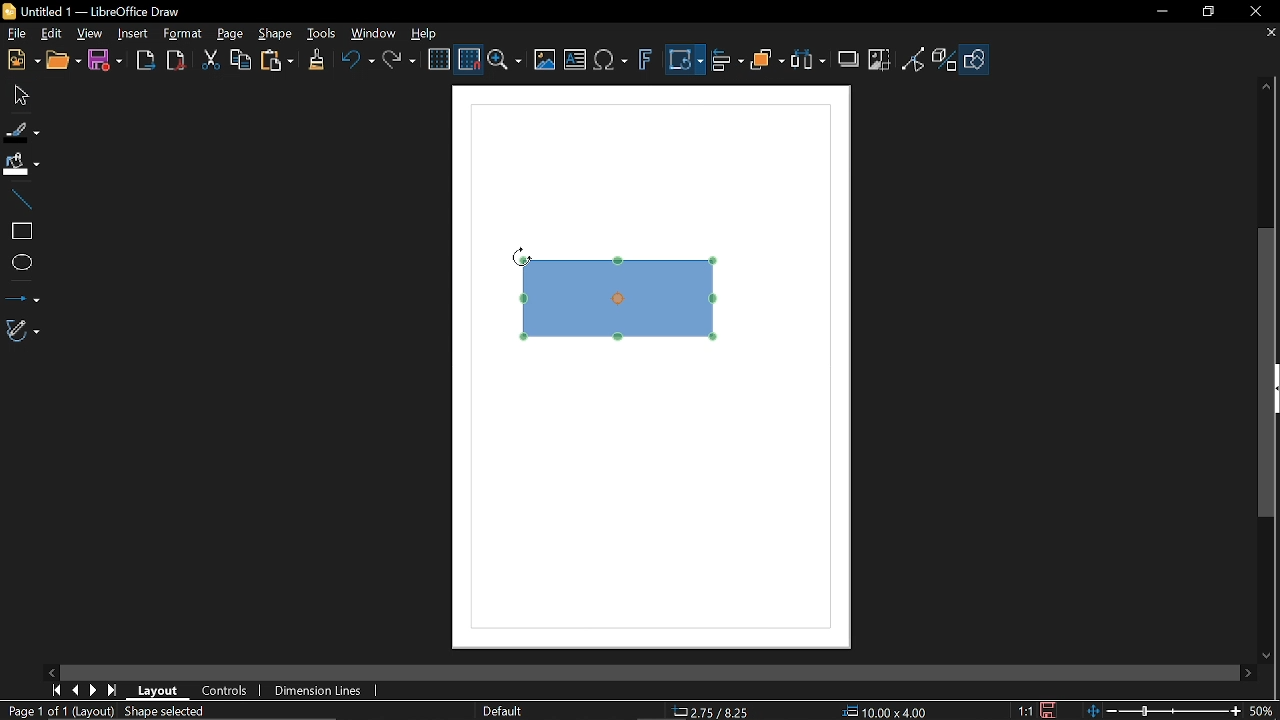 The image size is (1280, 720). What do you see at coordinates (21, 296) in the screenshot?
I see `Lines and arrows` at bounding box center [21, 296].